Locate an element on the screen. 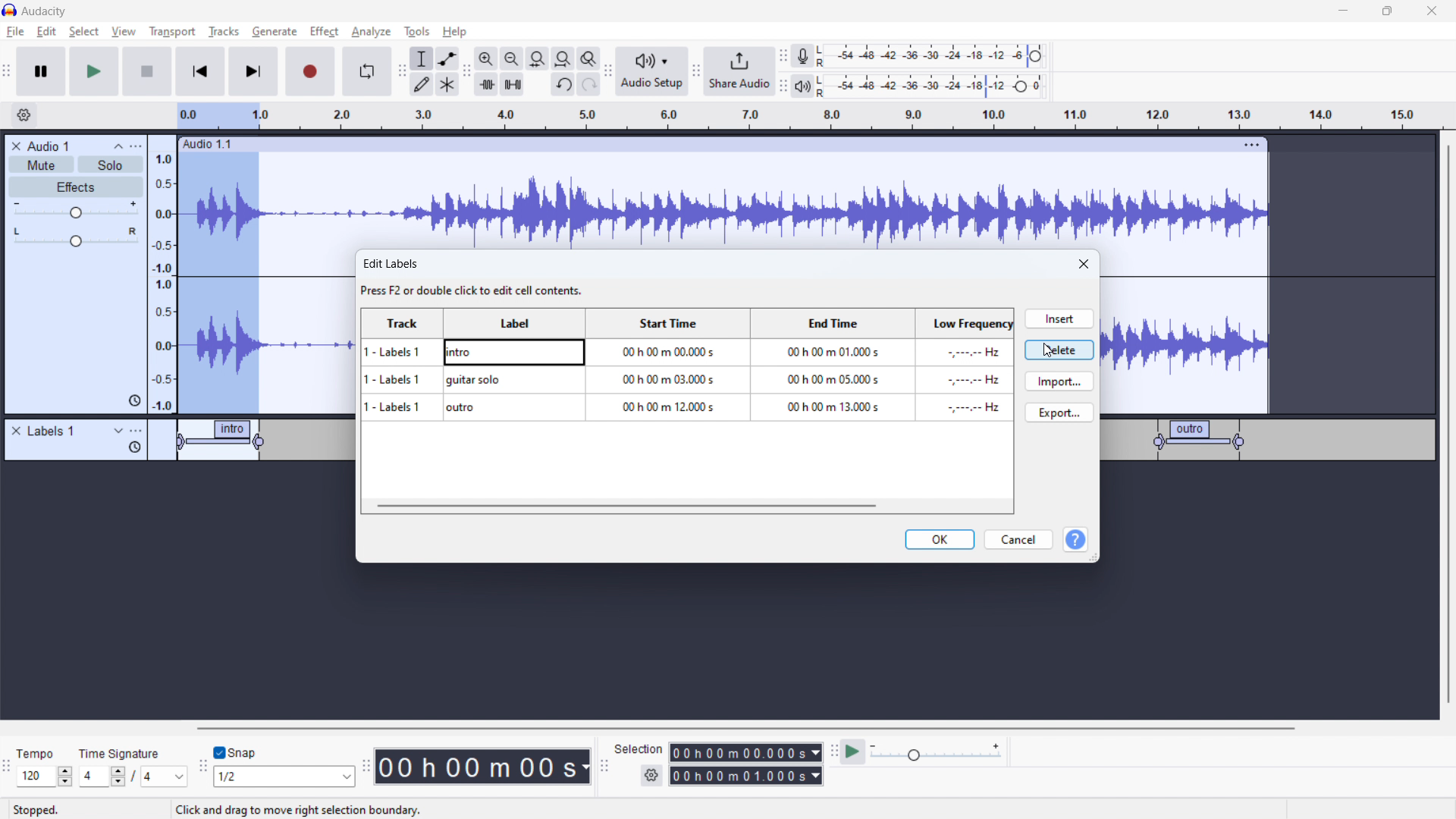 This screenshot has height=819, width=1456. label is located at coordinates (515, 364).